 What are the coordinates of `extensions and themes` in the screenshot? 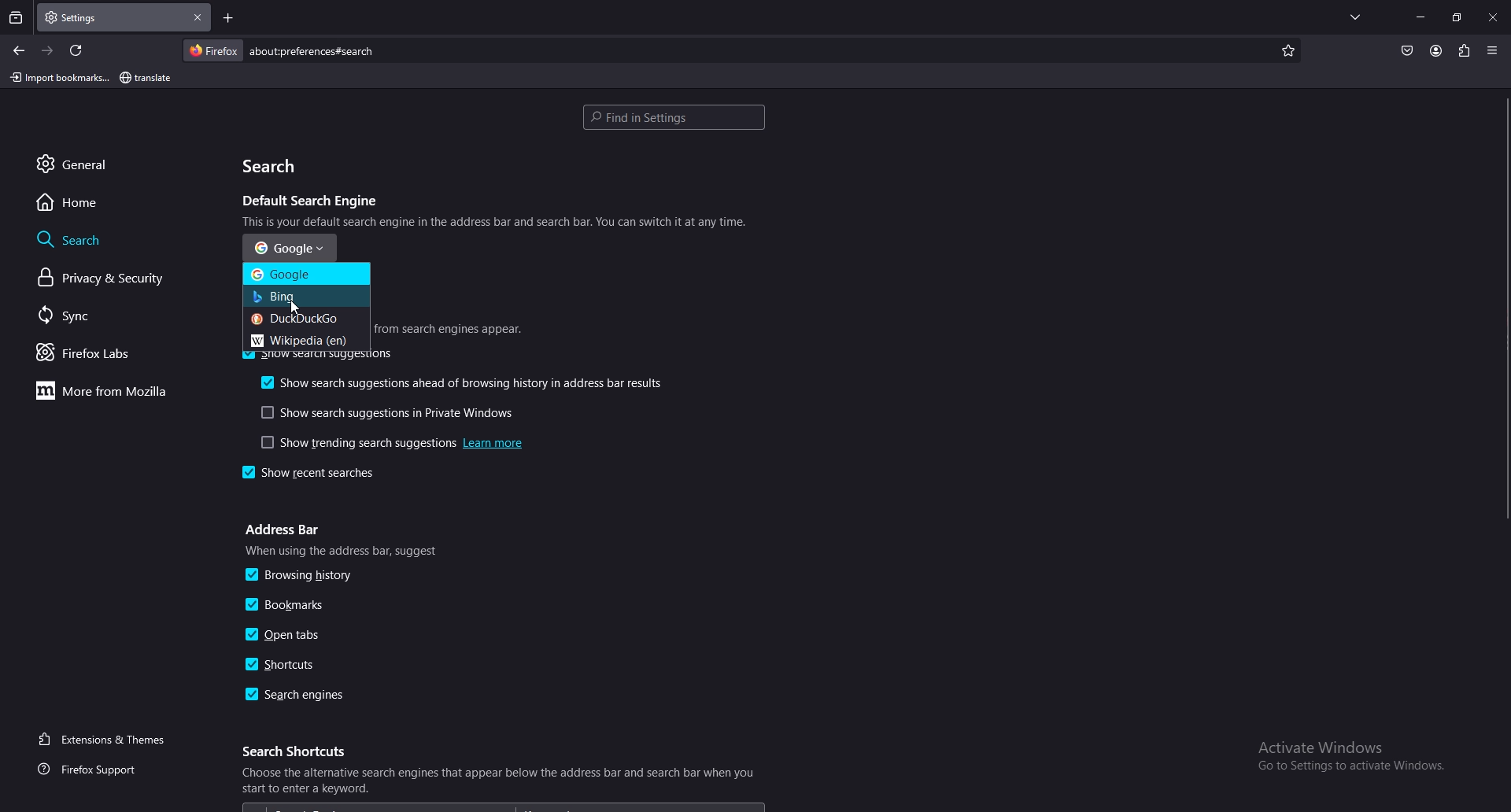 It's located at (107, 740).